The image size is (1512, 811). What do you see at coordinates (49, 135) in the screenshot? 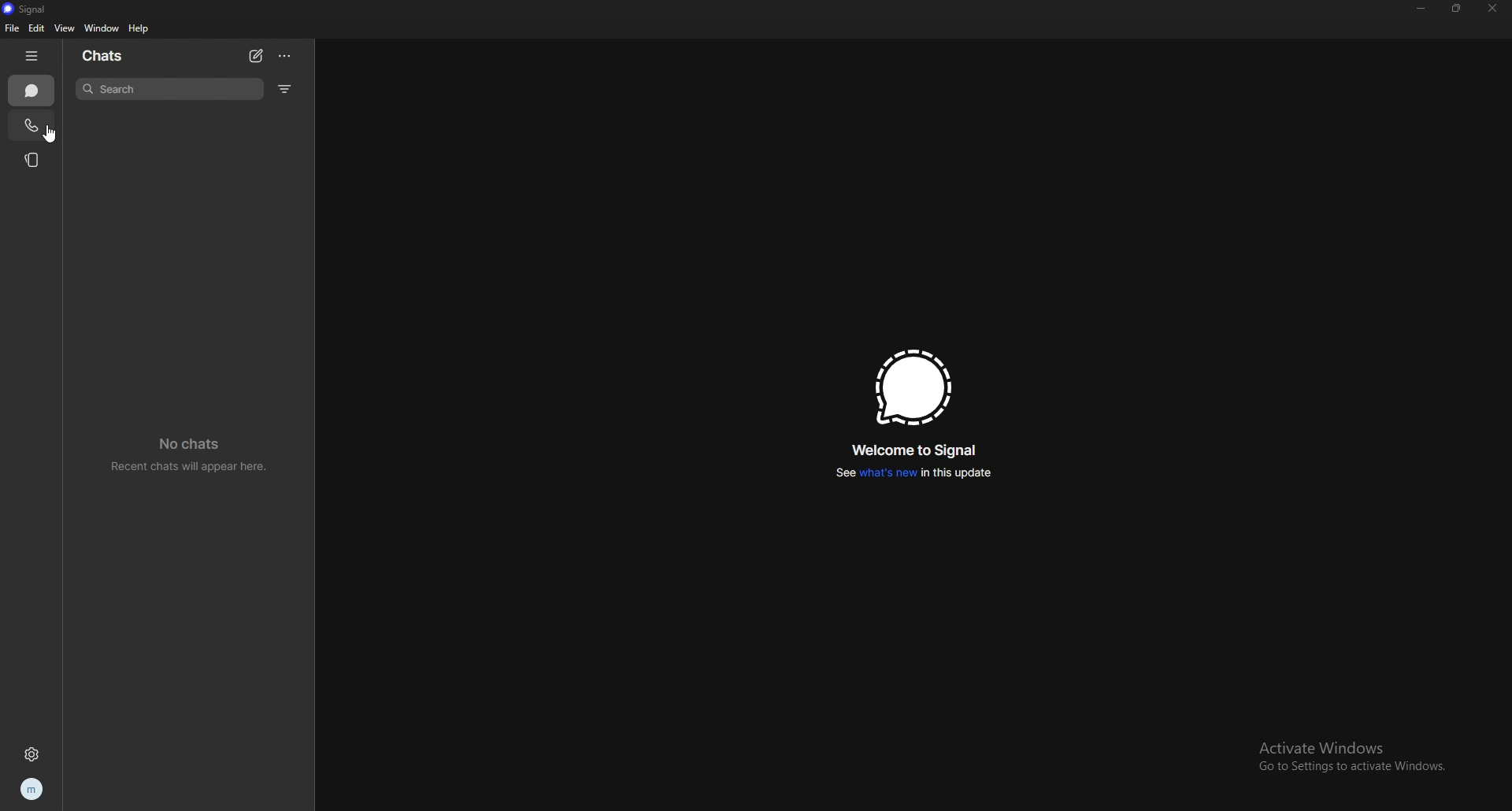
I see `cursor` at bounding box center [49, 135].